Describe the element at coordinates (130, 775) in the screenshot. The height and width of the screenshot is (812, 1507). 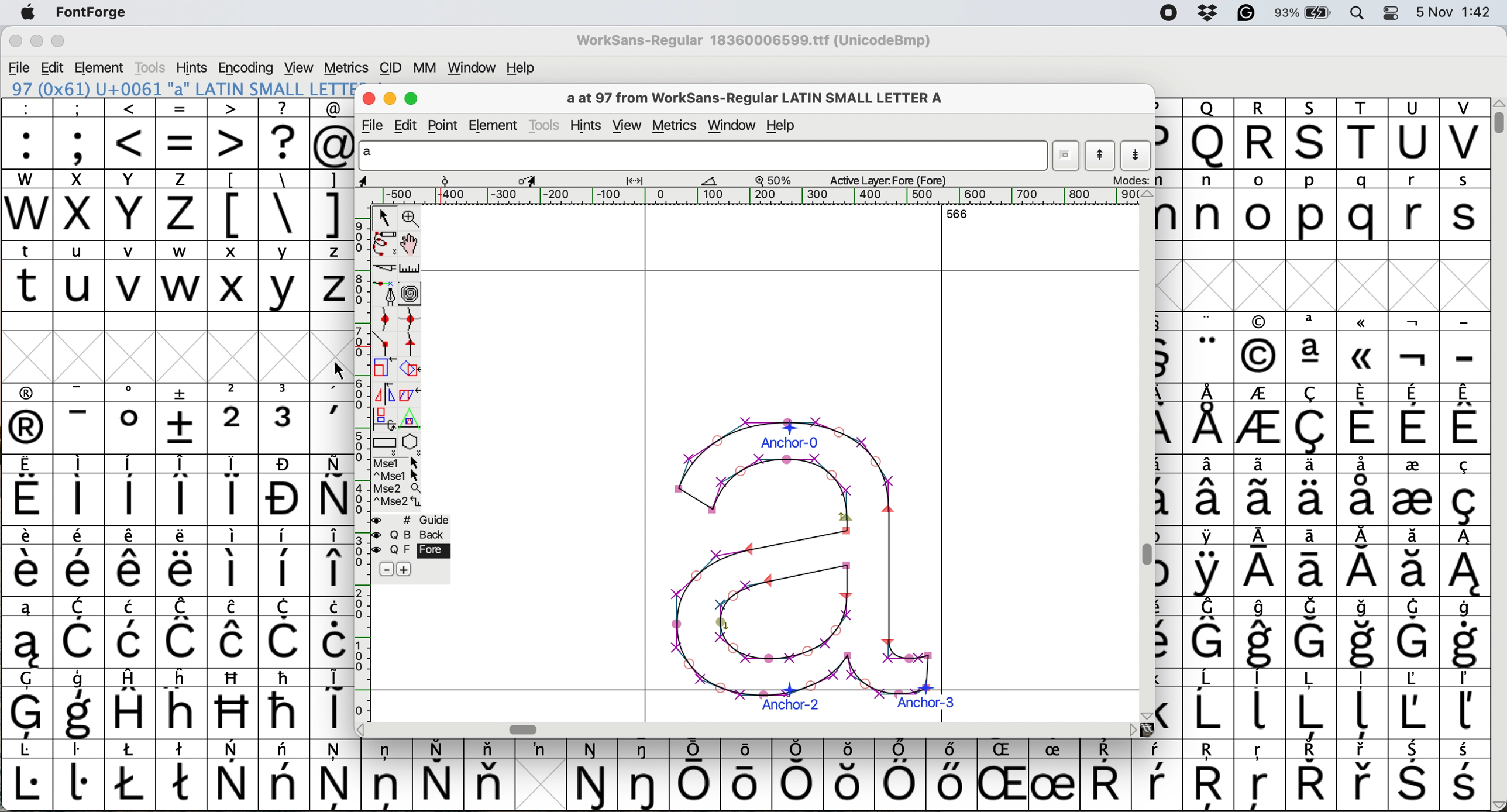
I see `symbol` at that location.